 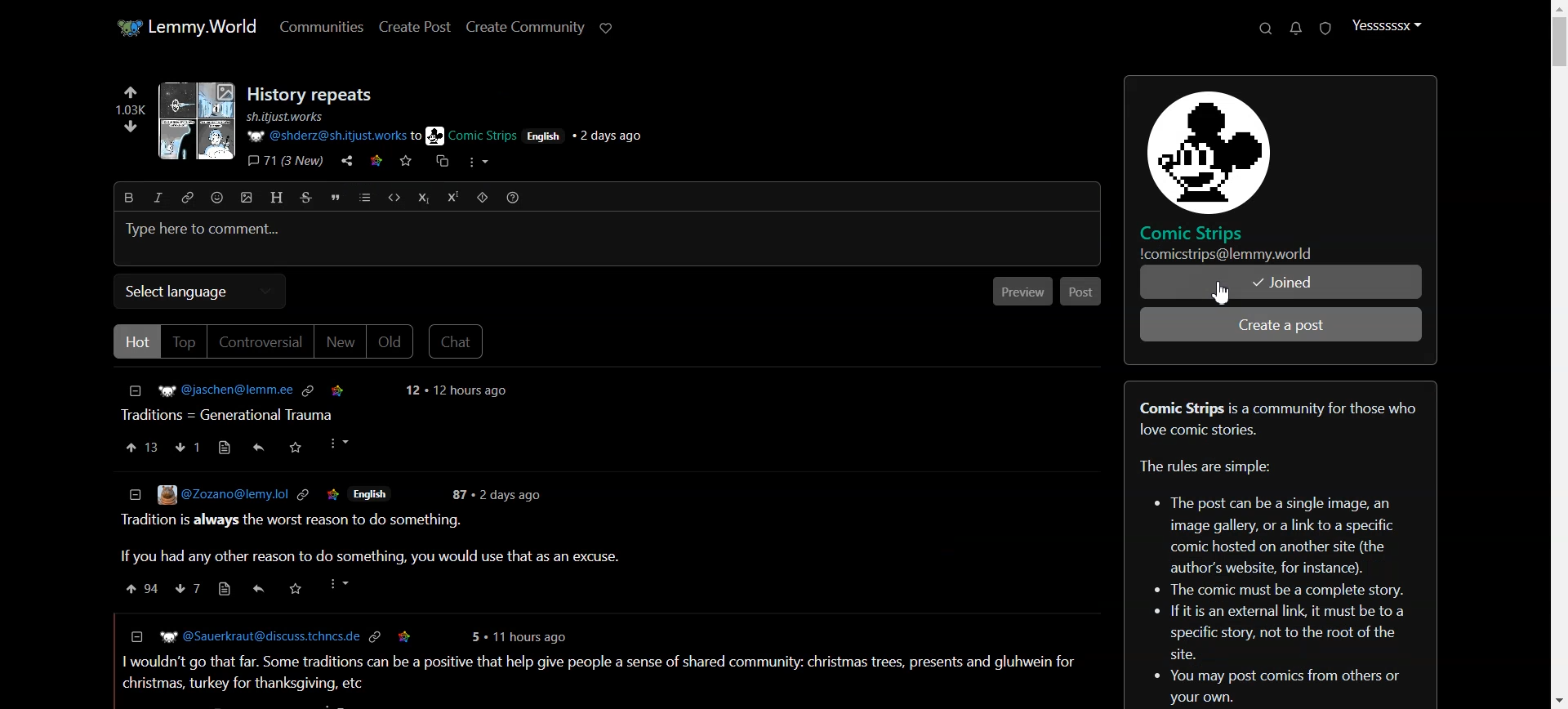 I want to click on Preview, so click(x=1022, y=290).